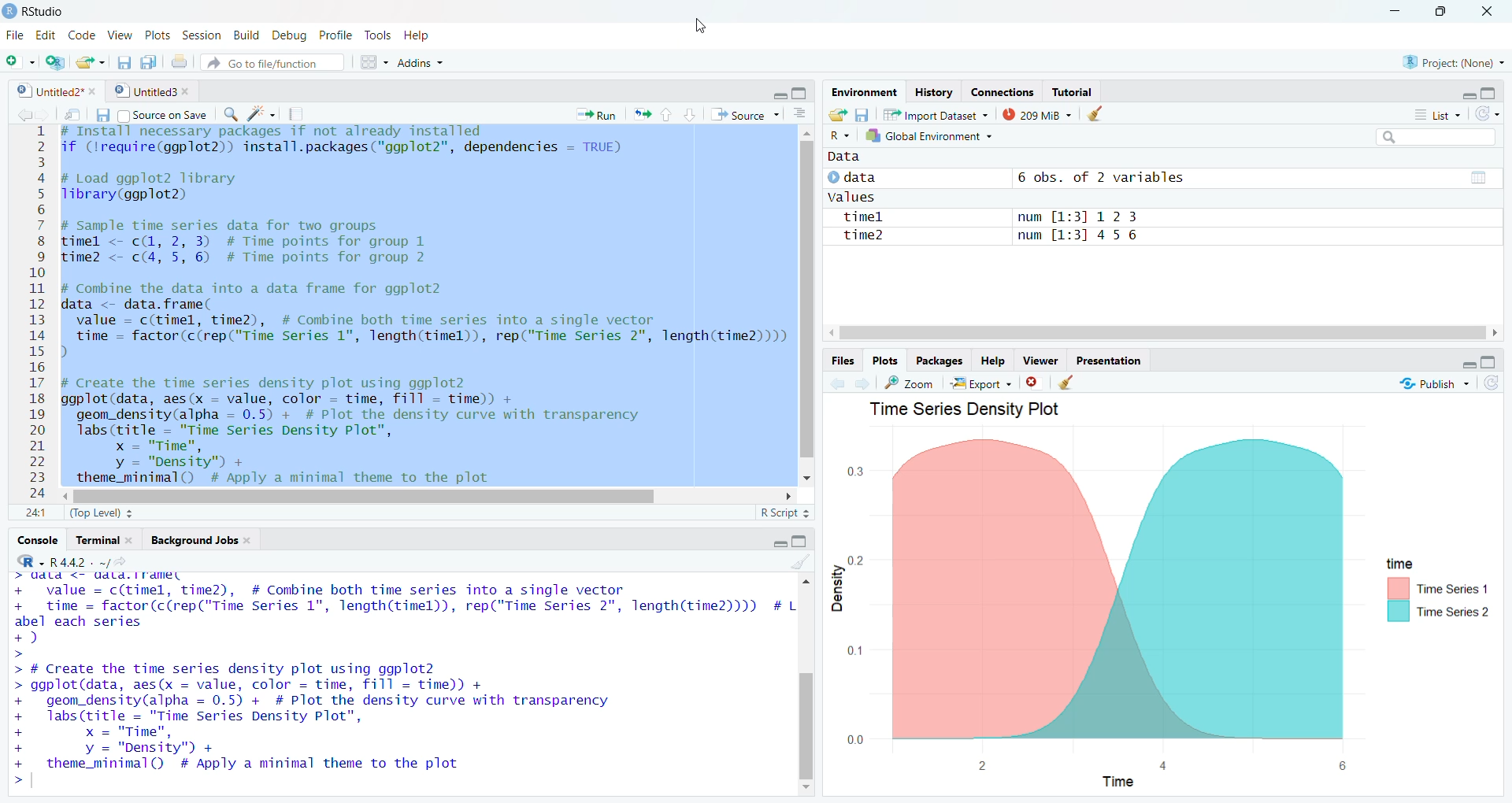  I want to click on Help, so click(419, 35).